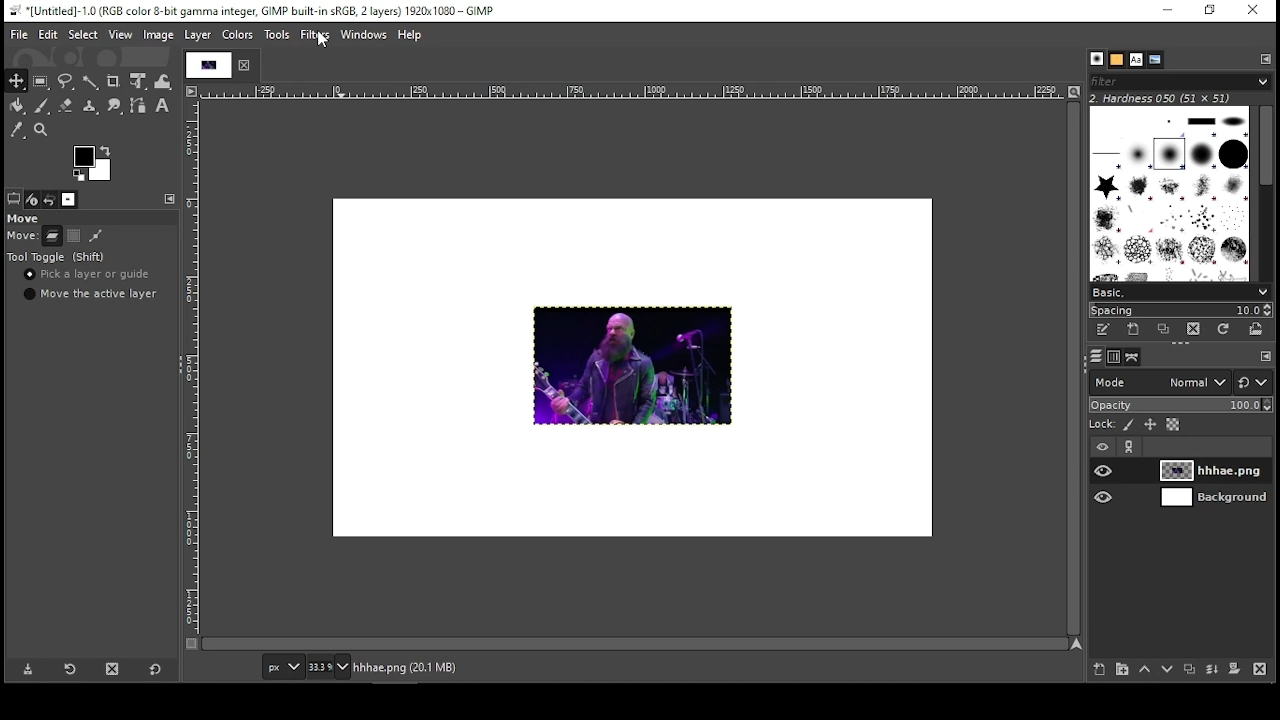 This screenshot has width=1280, height=720. What do you see at coordinates (1211, 672) in the screenshot?
I see `merge layer` at bounding box center [1211, 672].